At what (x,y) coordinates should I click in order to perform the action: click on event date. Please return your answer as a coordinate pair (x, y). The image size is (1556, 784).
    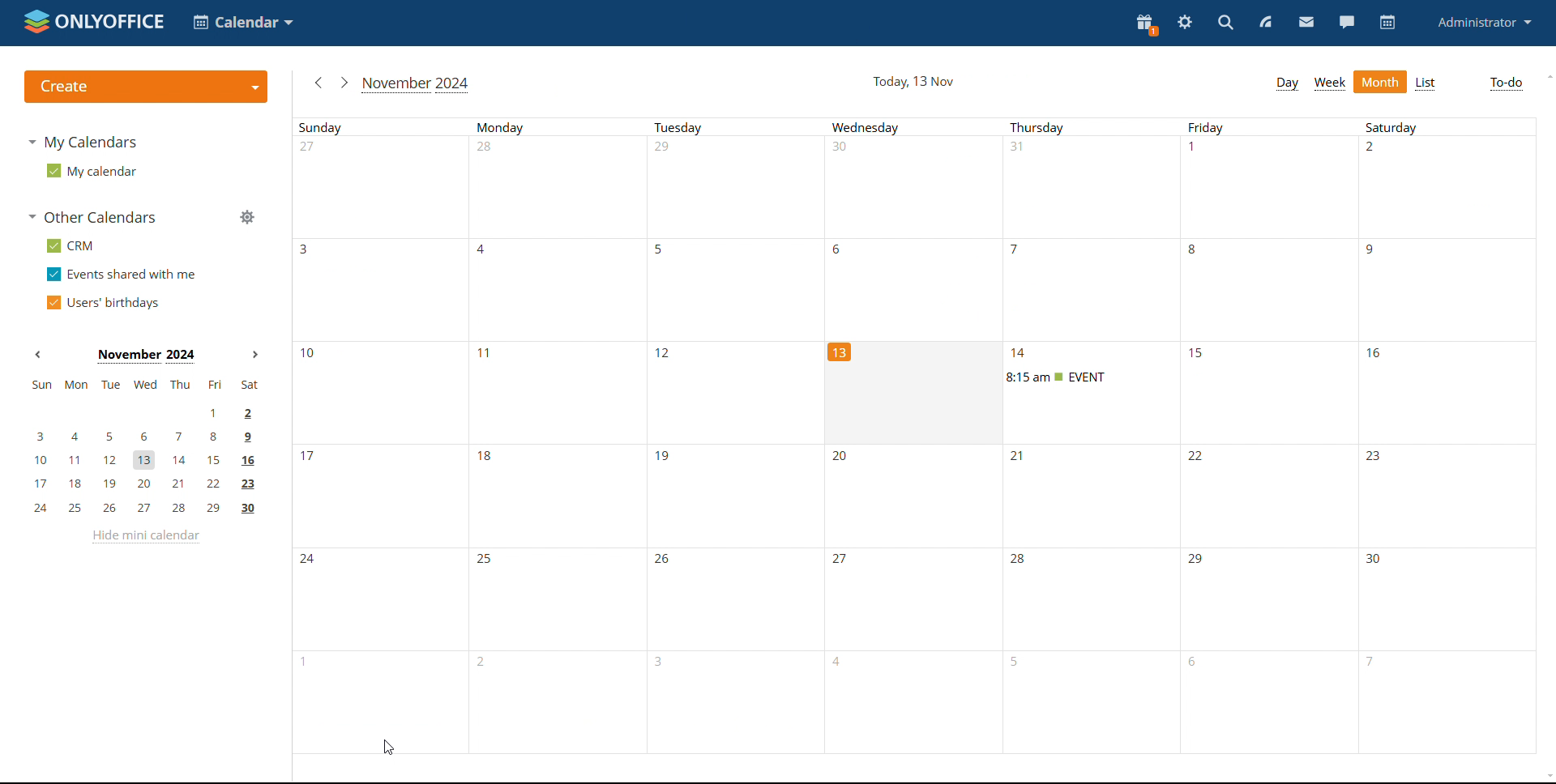
    Looking at the image, I should click on (1023, 353).